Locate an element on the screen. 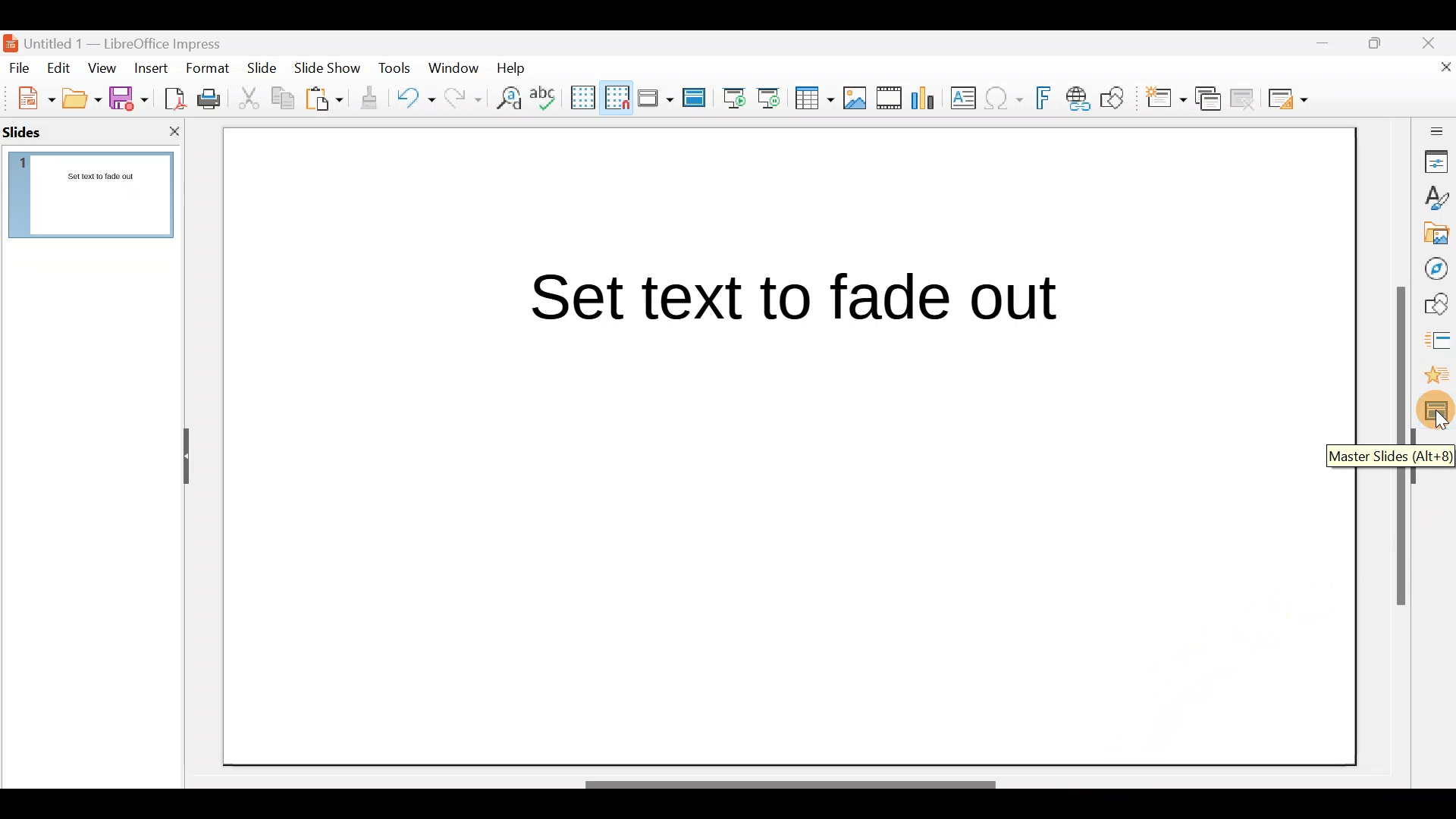 The image size is (1456, 819). Maximise is located at coordinates (1379, 46).